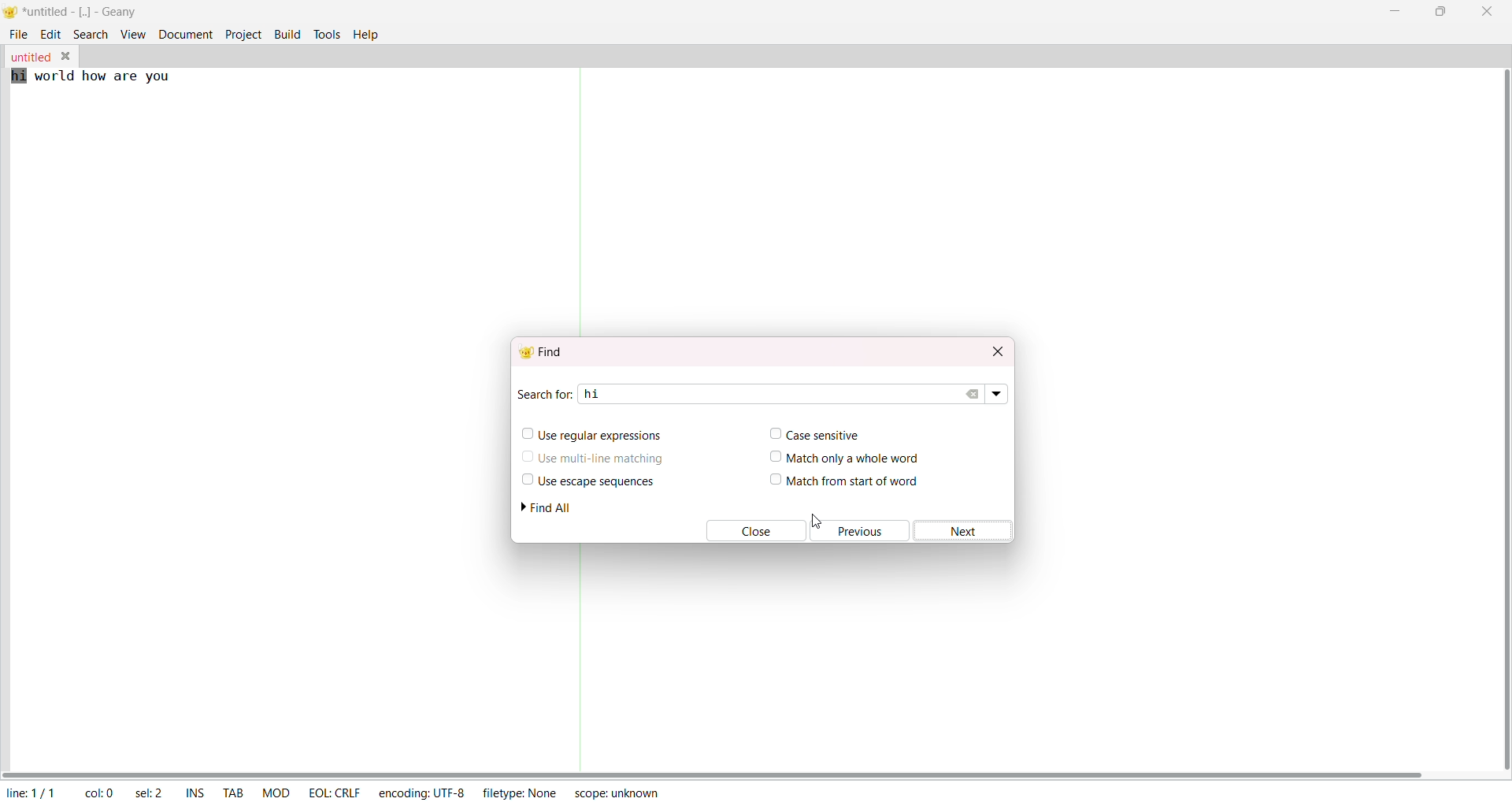  What do you see at coordinates (90, 33) in the screenshot?
I see `search` at bounding box center [90, 33].